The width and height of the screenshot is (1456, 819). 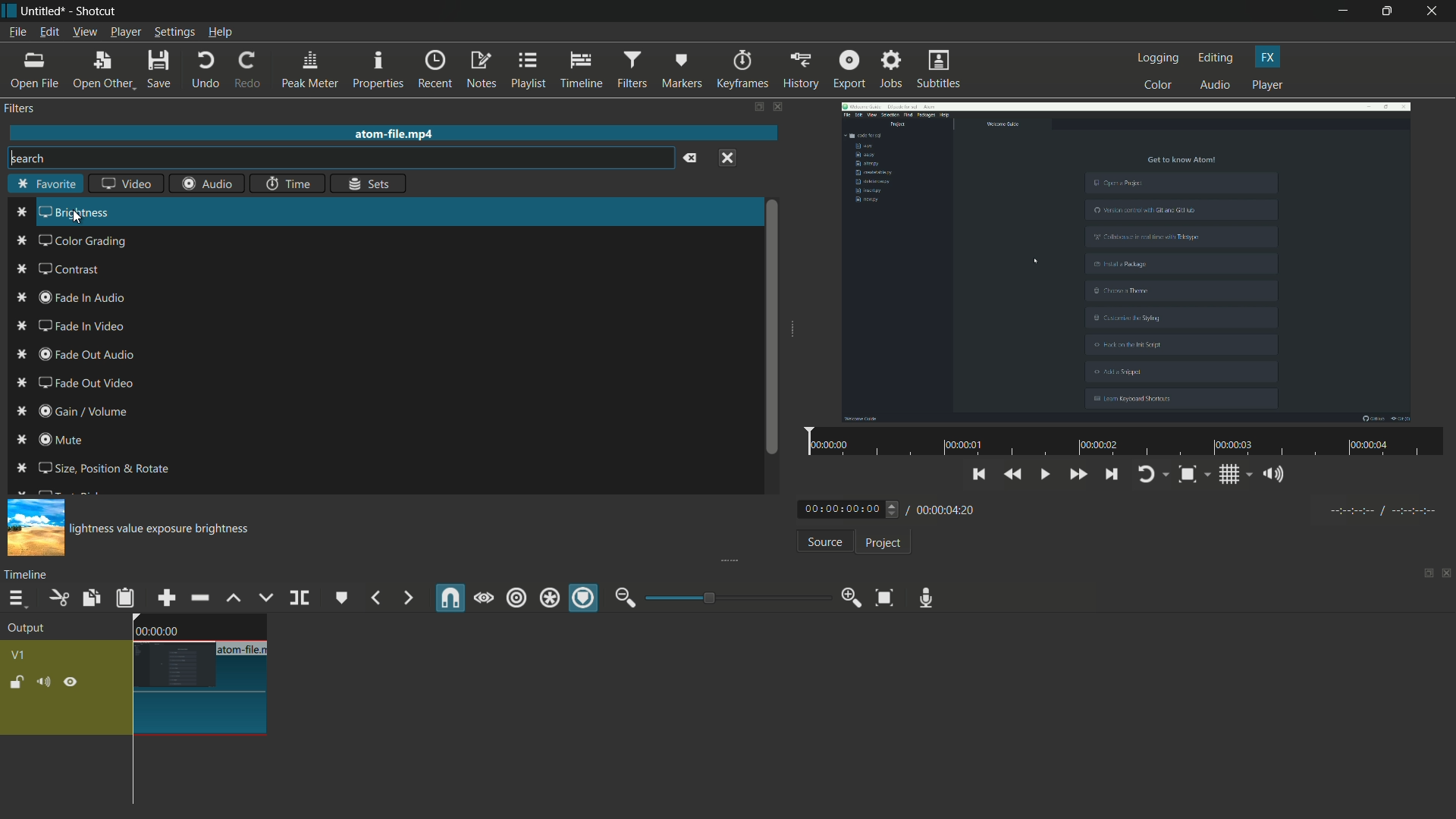 What do you see at coordinates (1268, 57) in the screenshot?
I see `fx` at bounding box center [1268, 57].